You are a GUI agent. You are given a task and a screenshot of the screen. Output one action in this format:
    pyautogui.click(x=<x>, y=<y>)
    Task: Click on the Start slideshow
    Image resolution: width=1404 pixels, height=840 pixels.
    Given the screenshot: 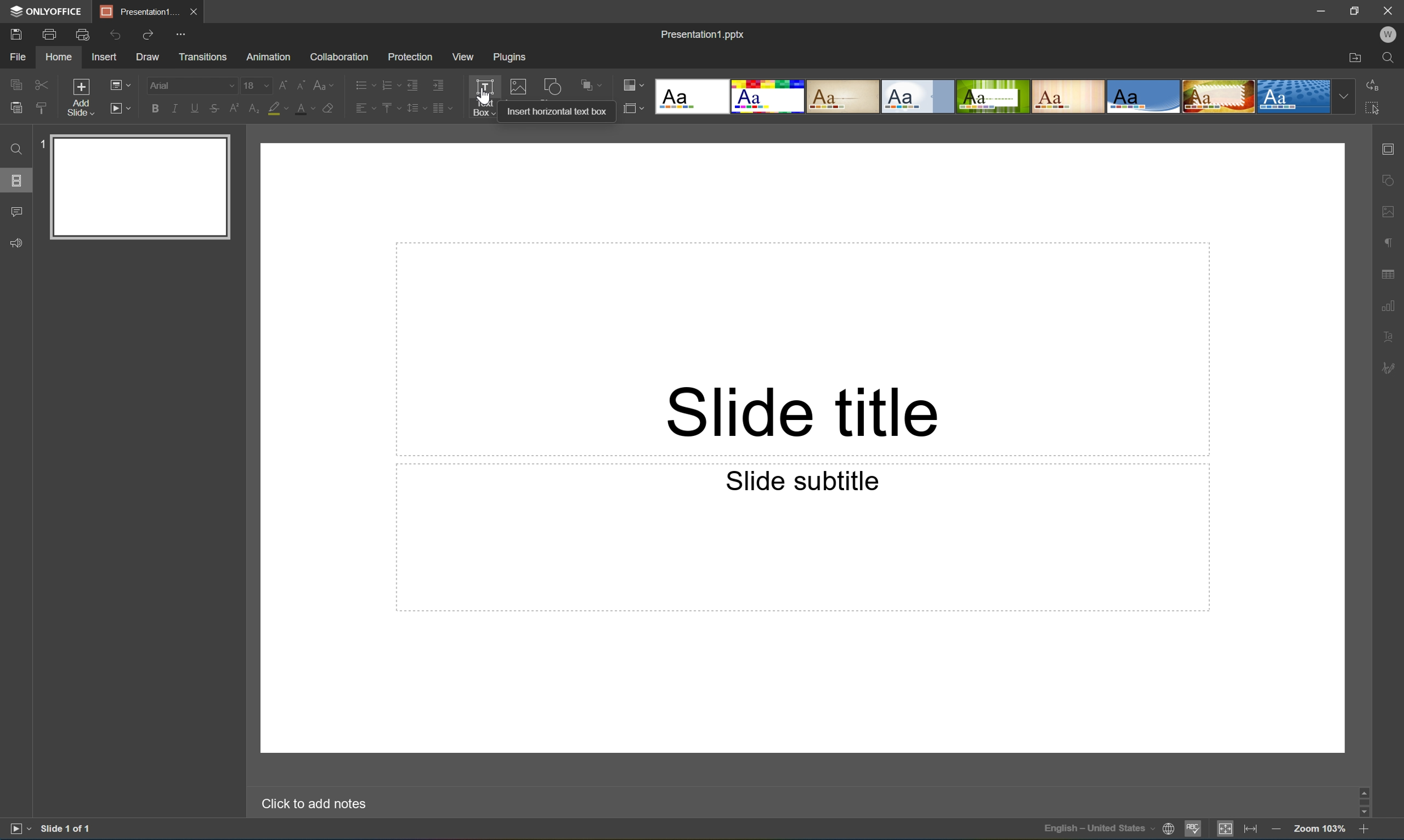 What is the action you would take?
    pyautogui.click(x=119, y=107)
    